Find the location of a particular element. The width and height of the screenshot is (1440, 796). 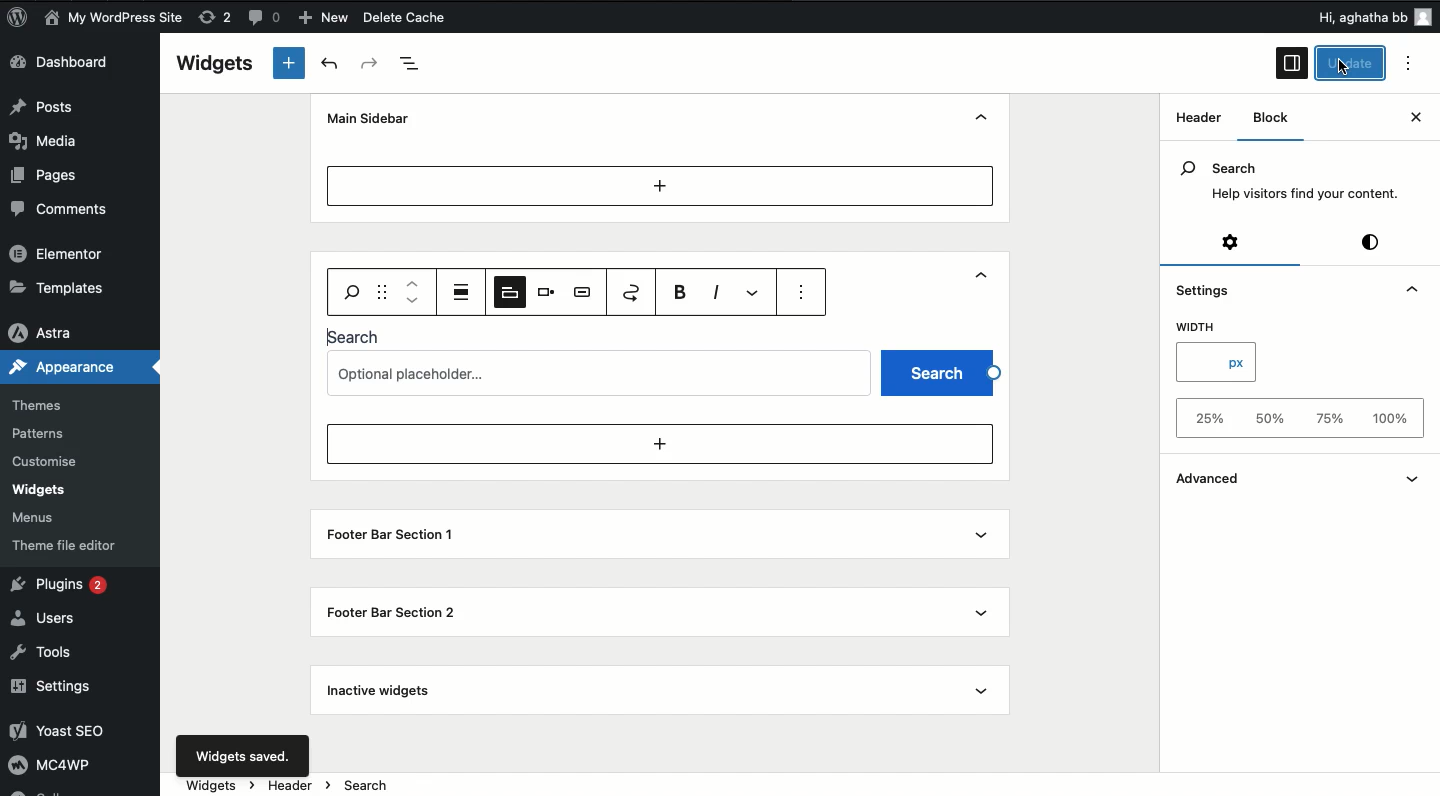

Elementor is located at coordinates (60, 255).